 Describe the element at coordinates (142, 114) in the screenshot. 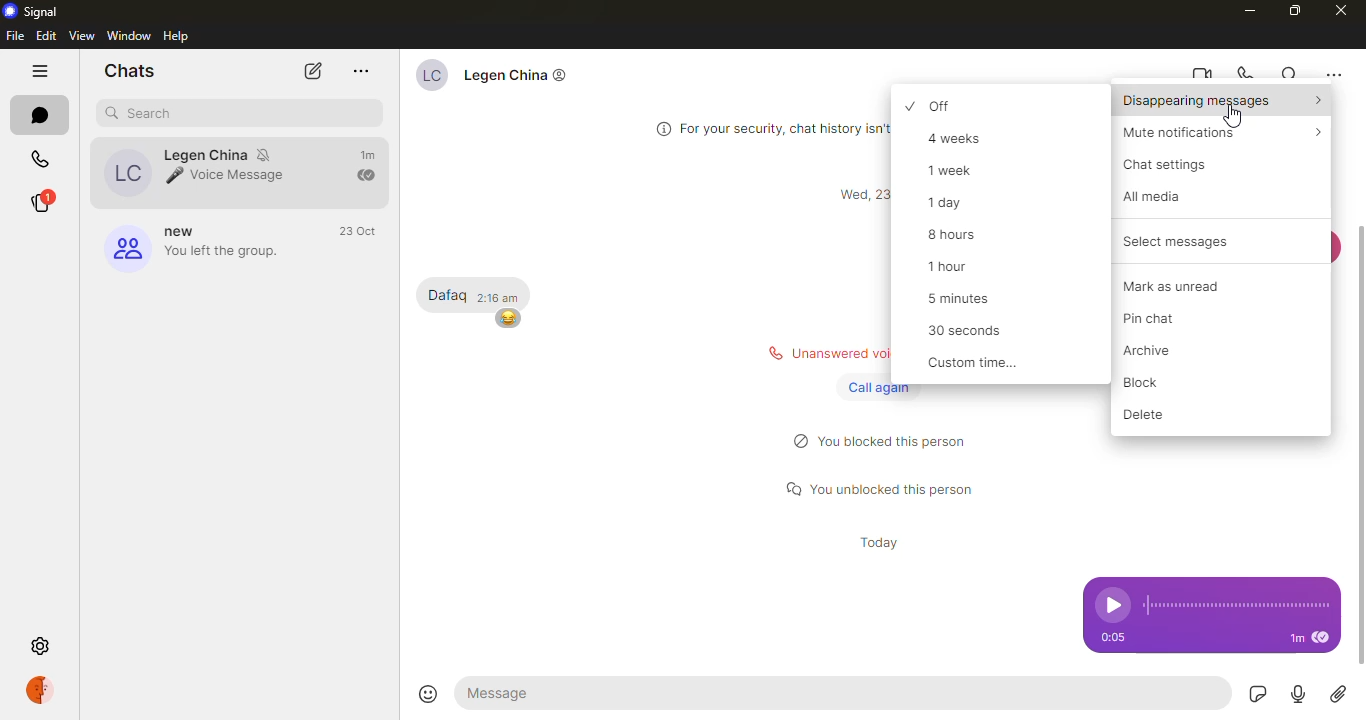

I see `search` at that location.